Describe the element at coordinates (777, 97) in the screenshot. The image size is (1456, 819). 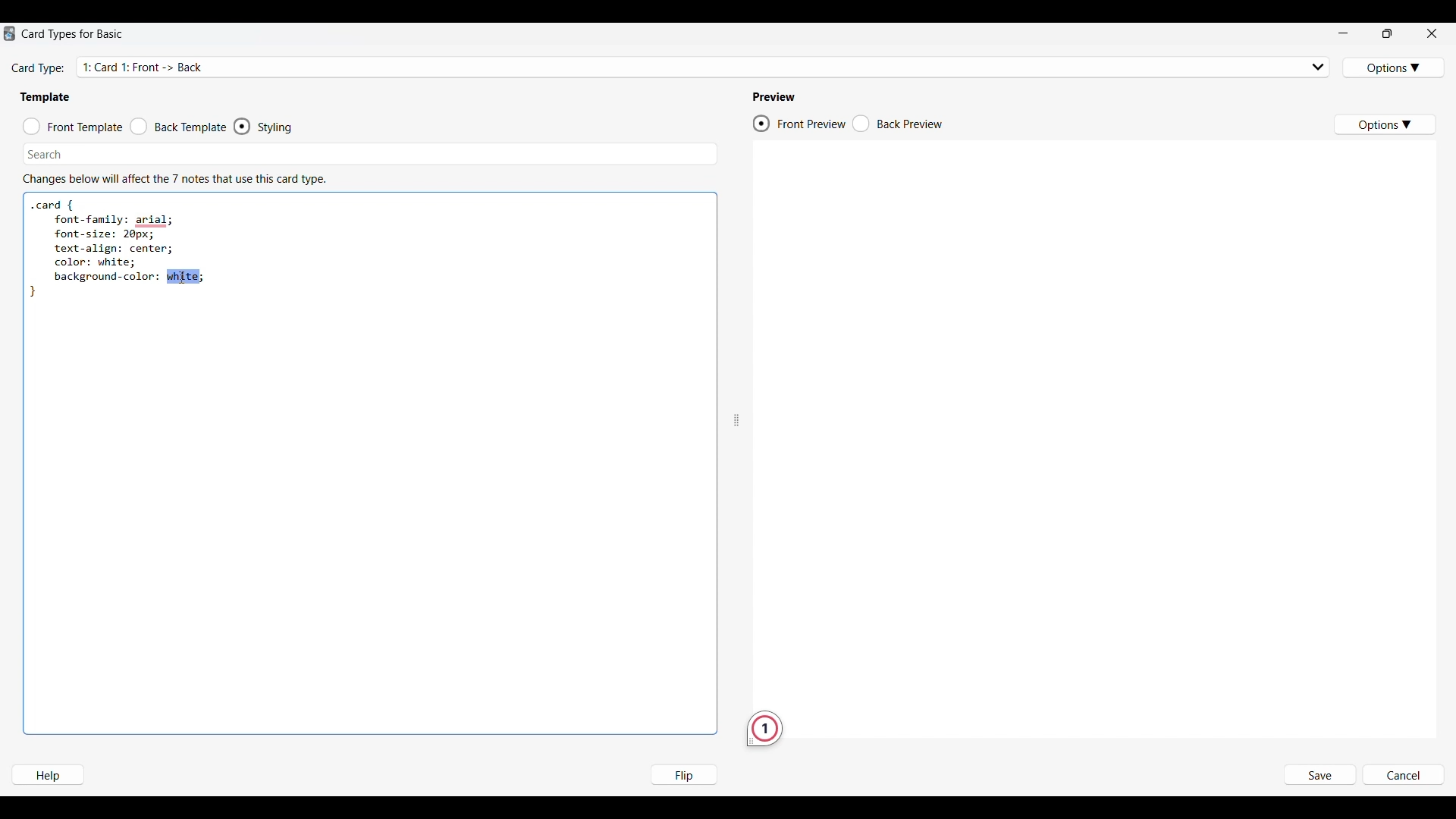
I see `Indicates Preview section` at that location.